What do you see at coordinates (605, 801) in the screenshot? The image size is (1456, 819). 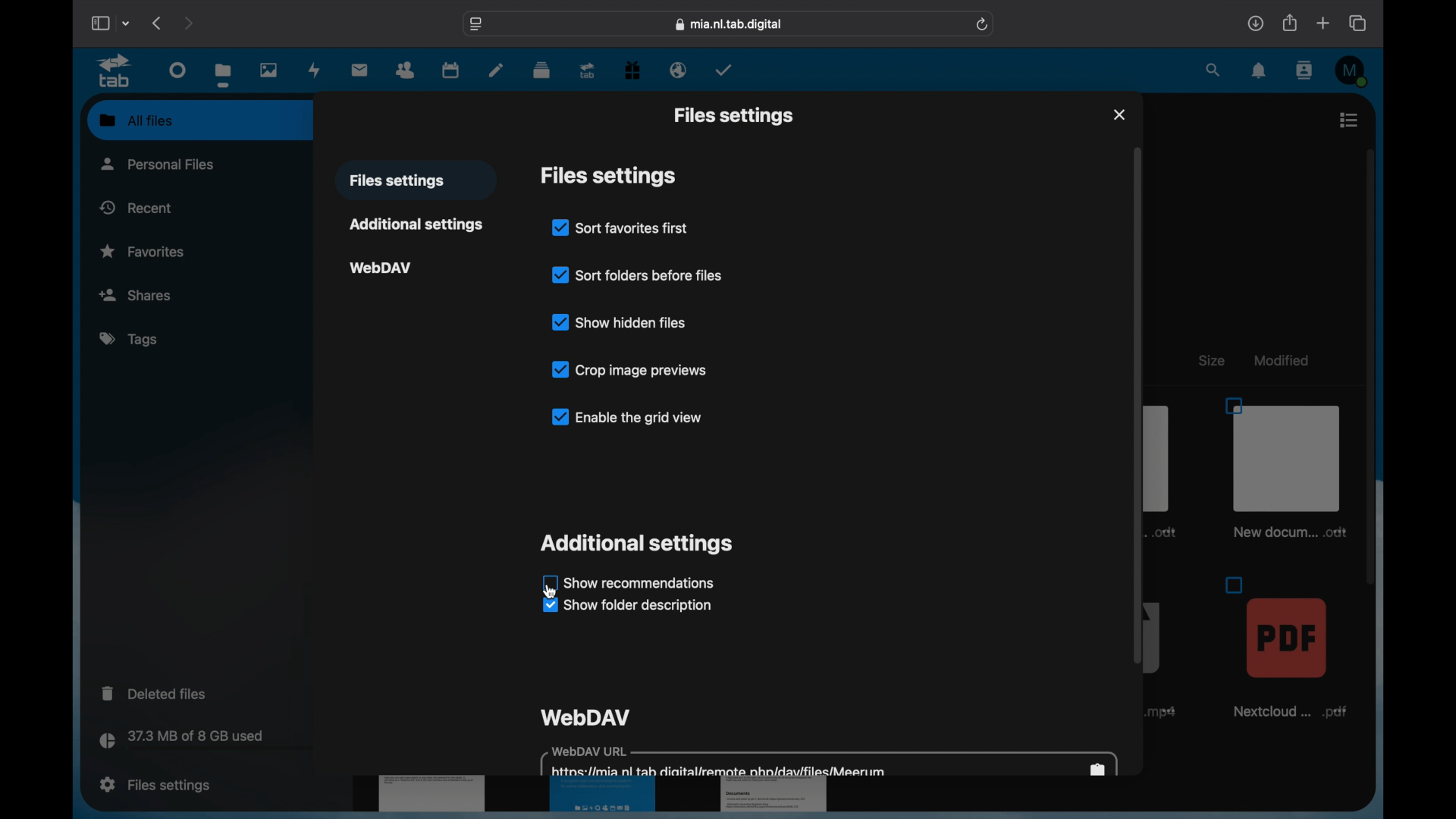 I see `document` at bounding box center [605, 801].